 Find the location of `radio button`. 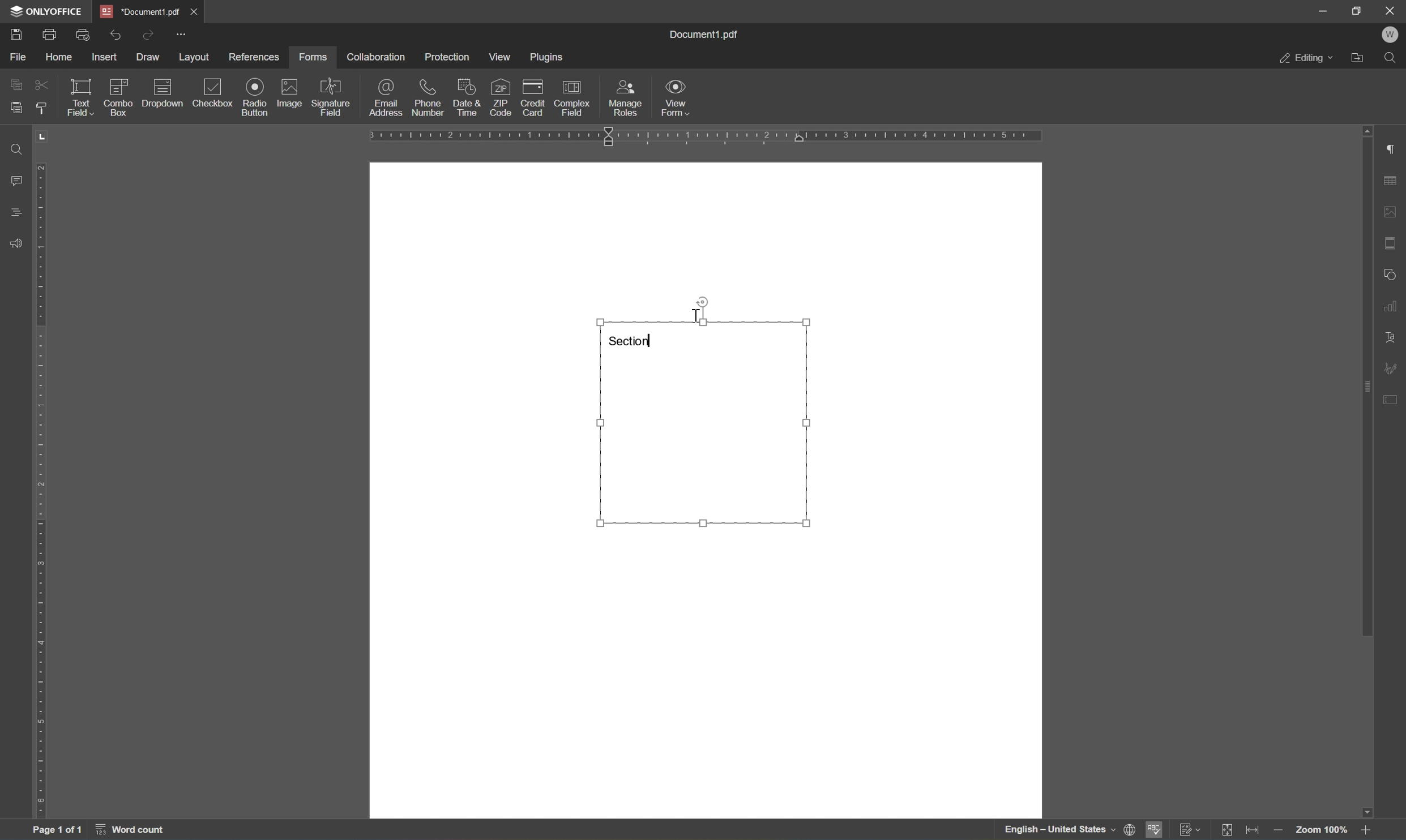

radio button is located at coordinates (253, 97).